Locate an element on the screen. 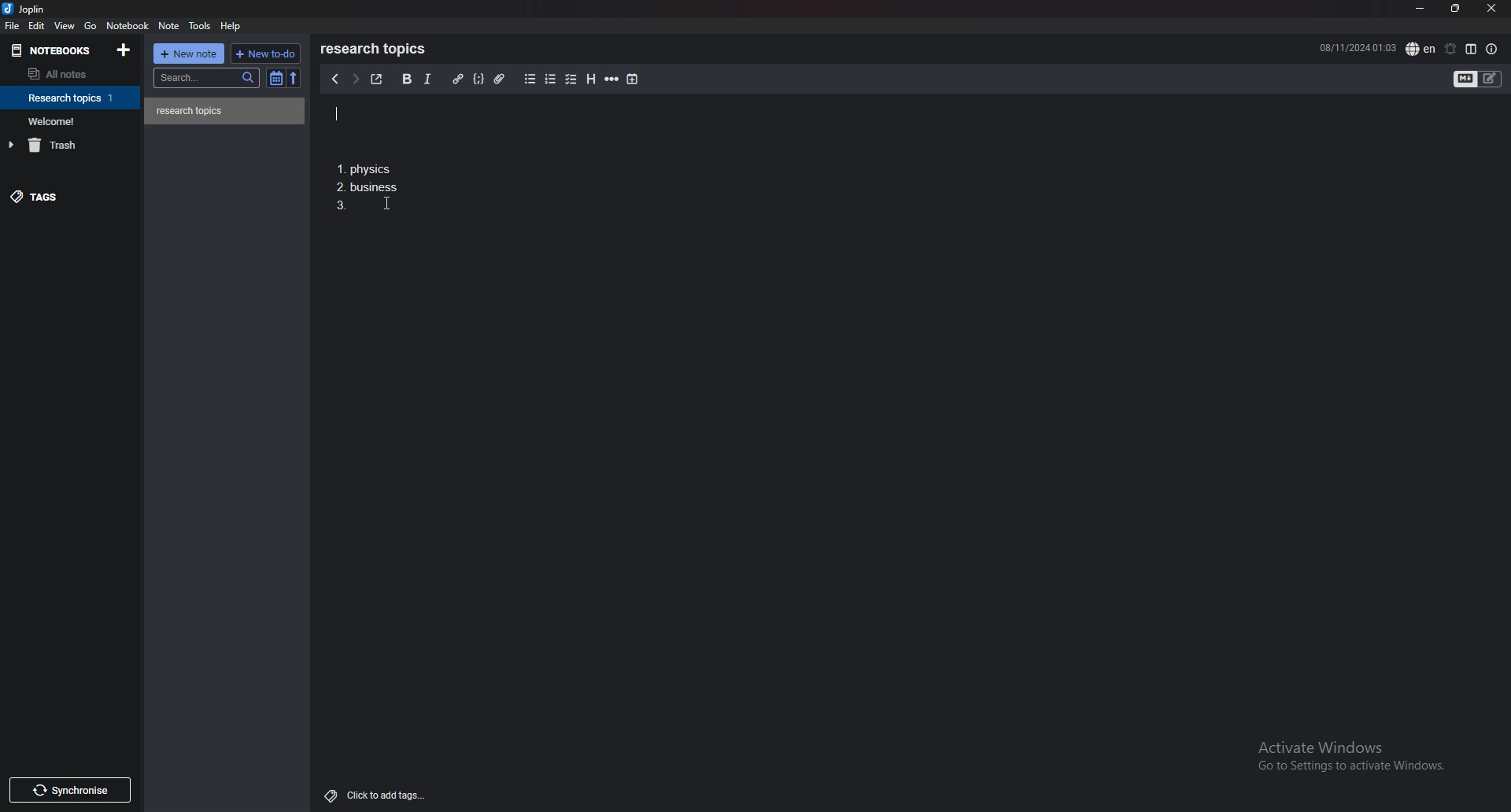 The width and height of the screenshot is (1511, 812). code is located at coordinates (479, 78).